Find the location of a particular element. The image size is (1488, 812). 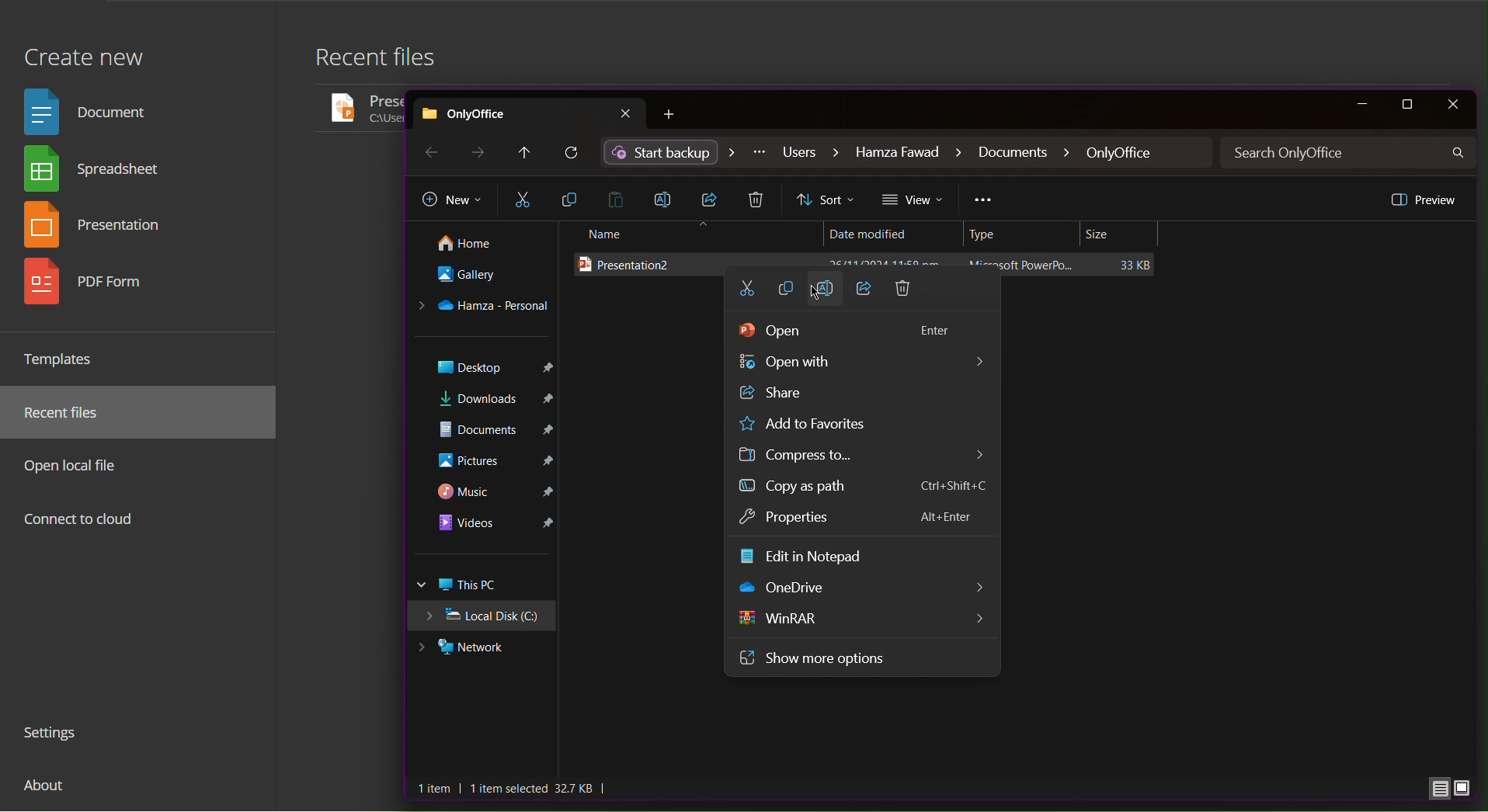

Local Disk is located at coordinates (487, 618).